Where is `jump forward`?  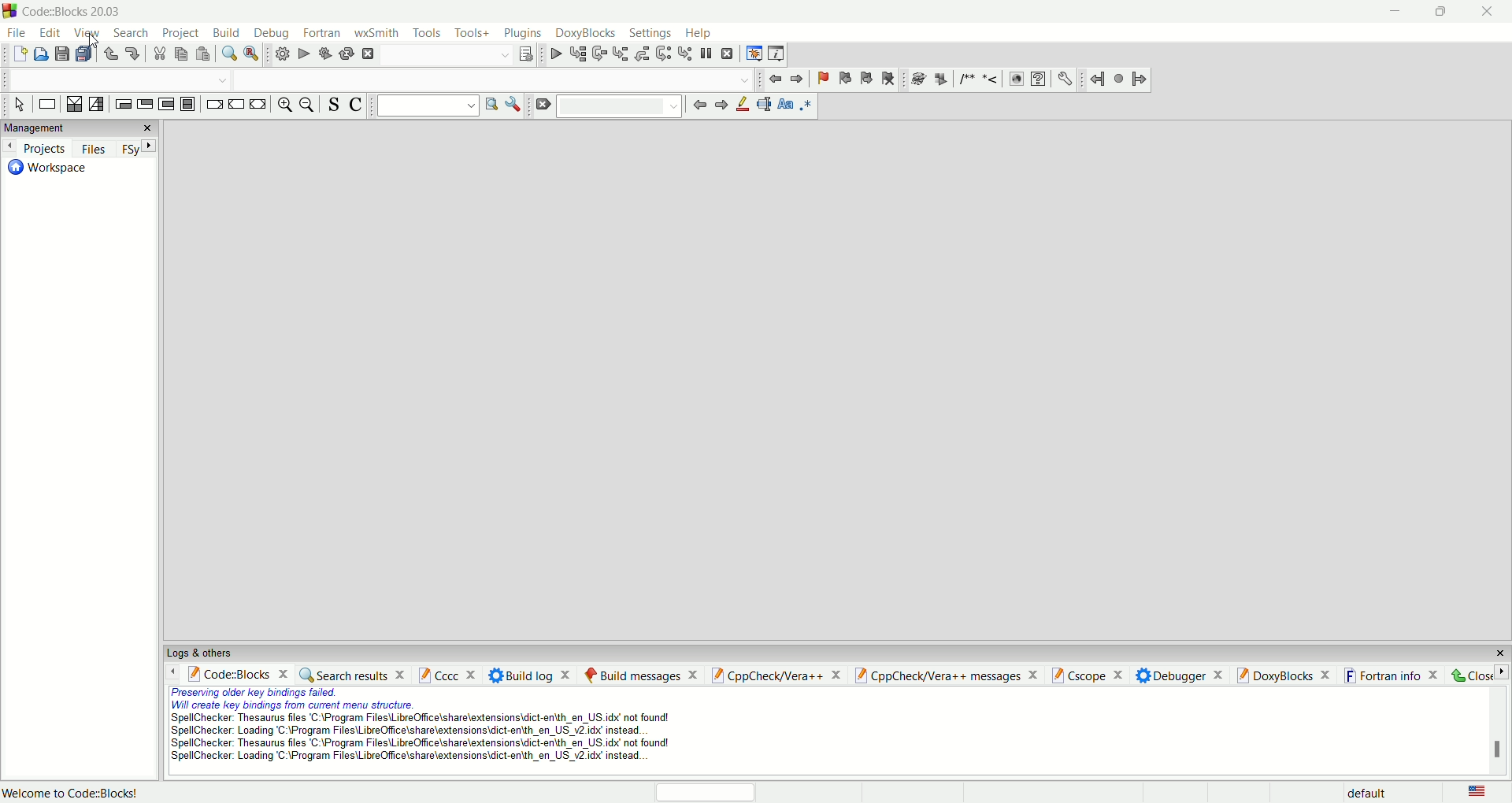 jump forward is located at coordinates (1142, 79).